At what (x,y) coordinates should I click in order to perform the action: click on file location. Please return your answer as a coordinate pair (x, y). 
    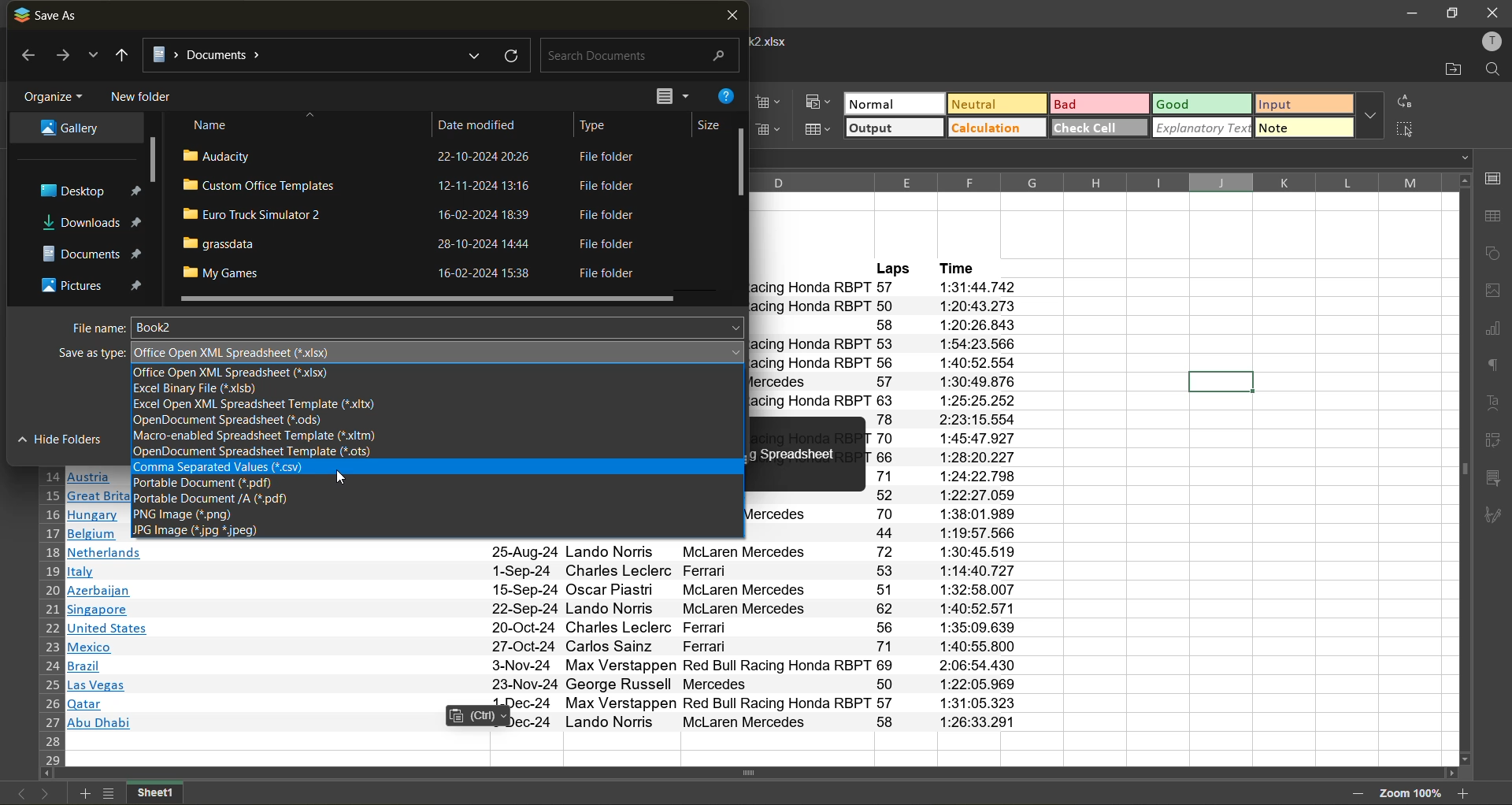
    Looking at the image, I should click on (315, 53).